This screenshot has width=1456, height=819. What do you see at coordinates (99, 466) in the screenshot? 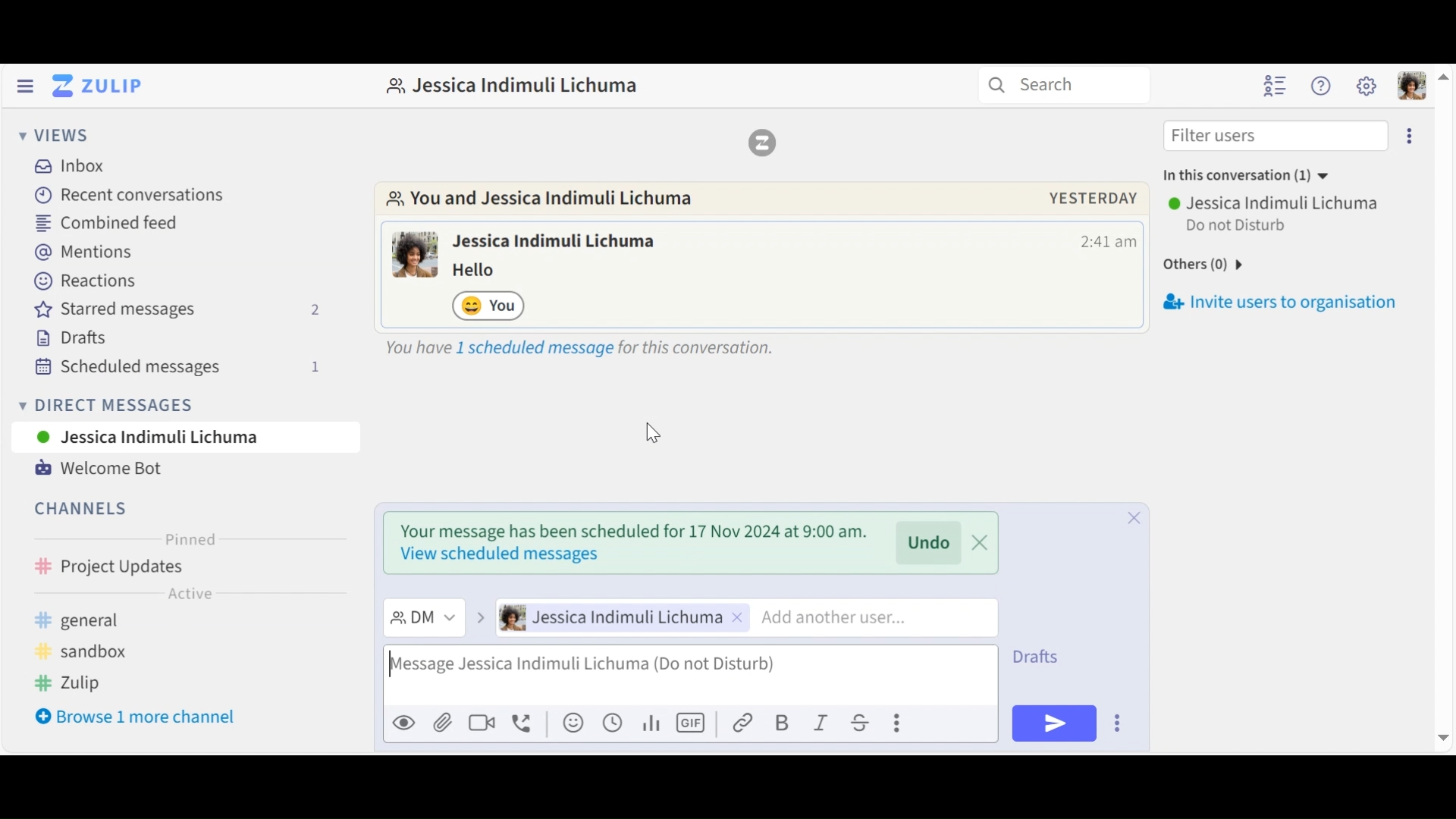
I see `Welcome Bot` at bounding box center [99, 466].